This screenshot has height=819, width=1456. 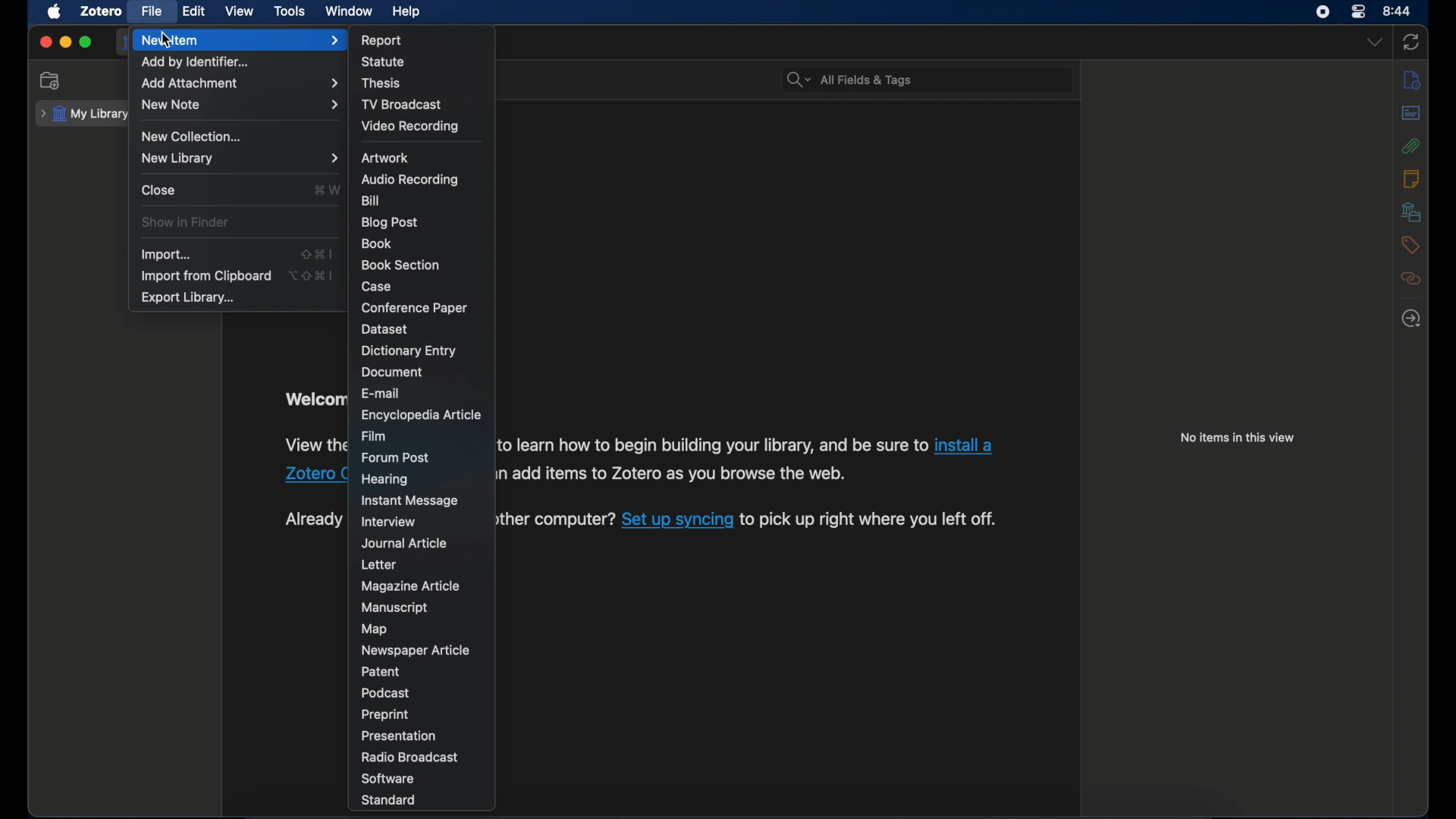 I want to click on document, so click(x=391, y=372).